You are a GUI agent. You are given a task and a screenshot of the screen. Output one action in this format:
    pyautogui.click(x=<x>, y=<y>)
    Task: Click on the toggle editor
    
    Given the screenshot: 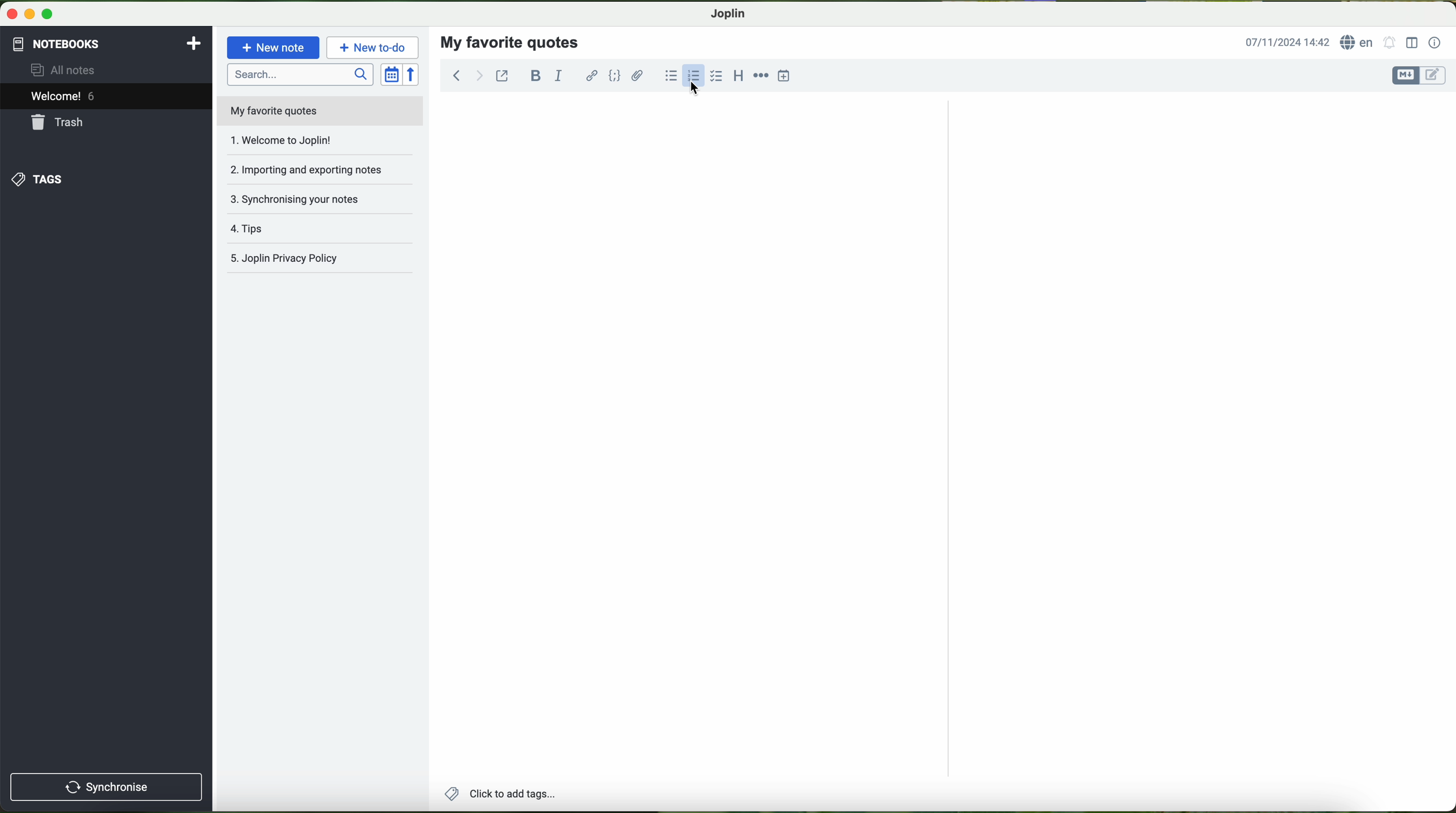 What is the action you would take?
    pyautogui.click(x=1419, y=75)
    